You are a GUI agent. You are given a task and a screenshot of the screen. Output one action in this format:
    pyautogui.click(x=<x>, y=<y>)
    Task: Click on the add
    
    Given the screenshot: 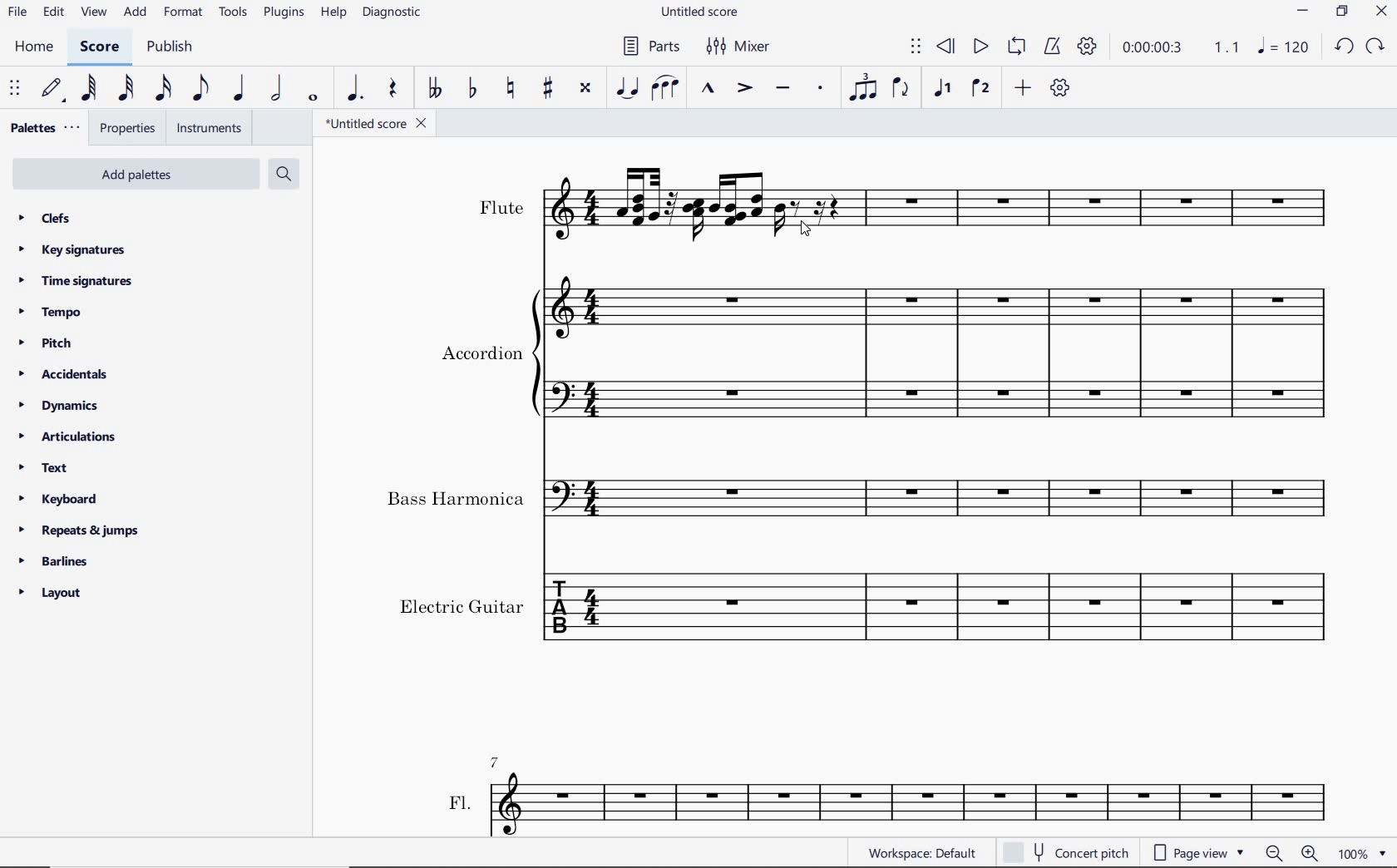 What is the action you would take?
    pyautogui.click(x=1023, y=87)
    